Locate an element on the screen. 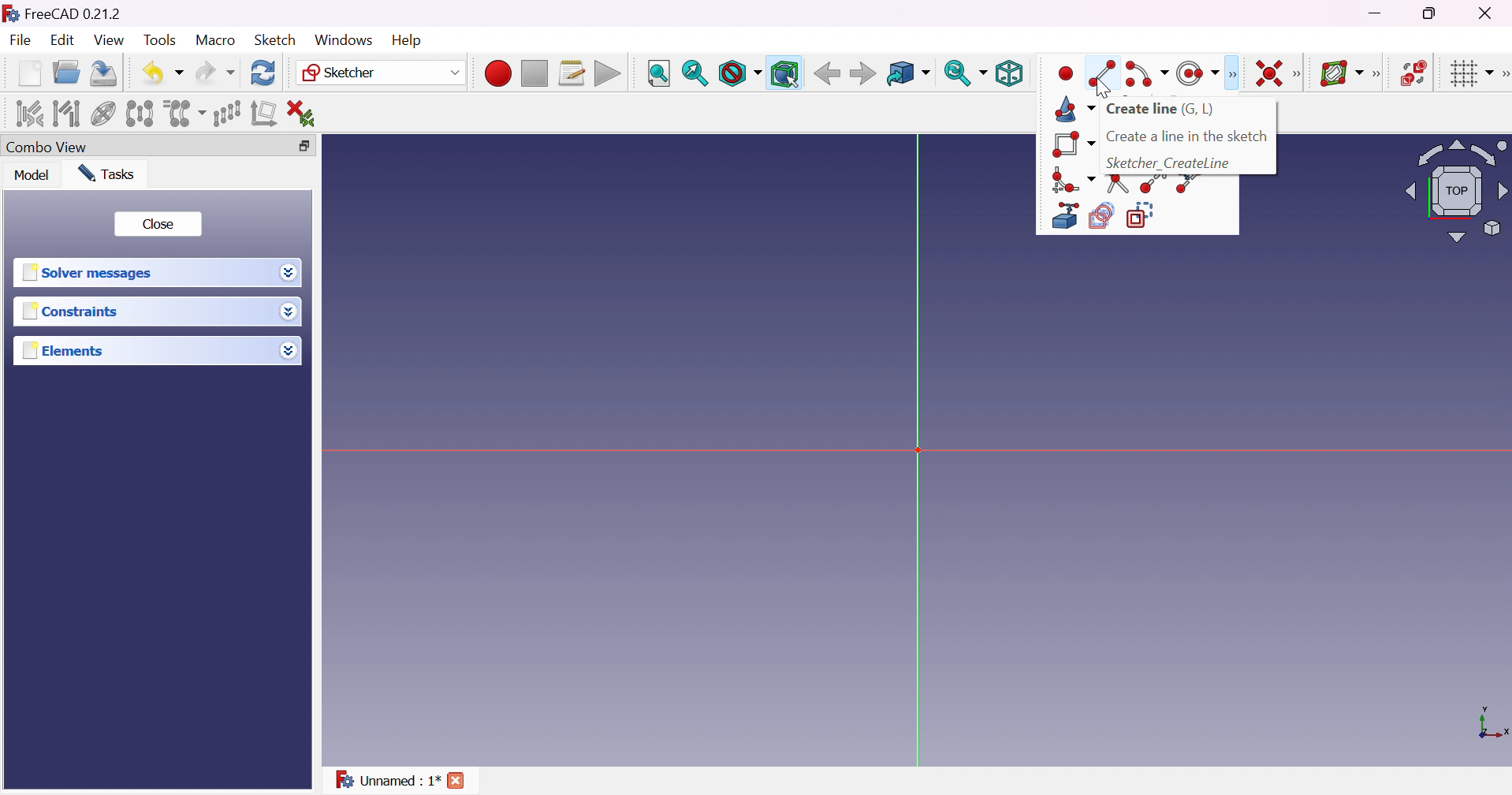  Create external geometry is located at coordinates (1063, 216).